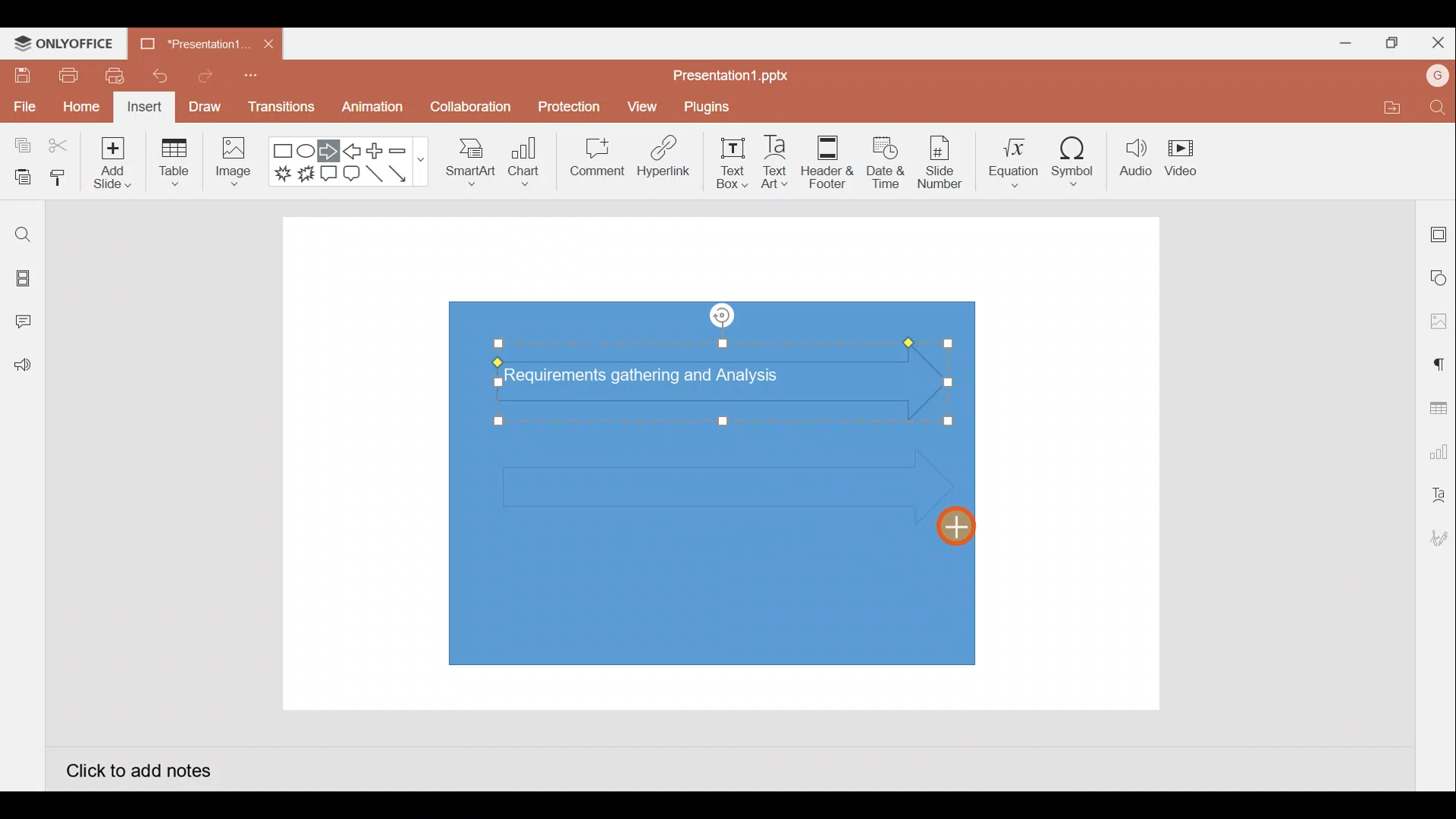 The width and height of the screenshot is (1456, 819). I want to click on Quick print, so click(110, 76).